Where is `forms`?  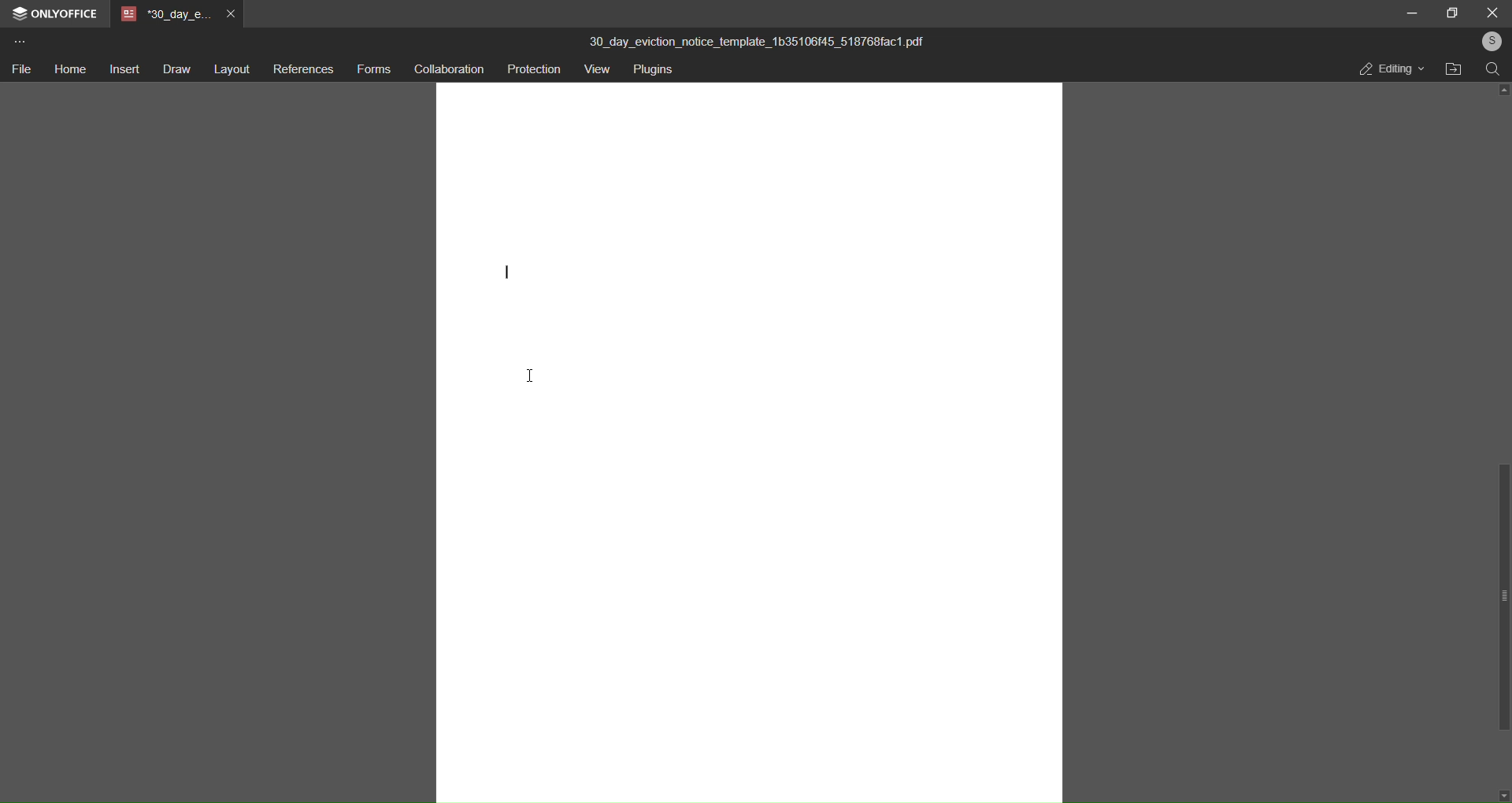
forms is located at coordinates (372, 71).